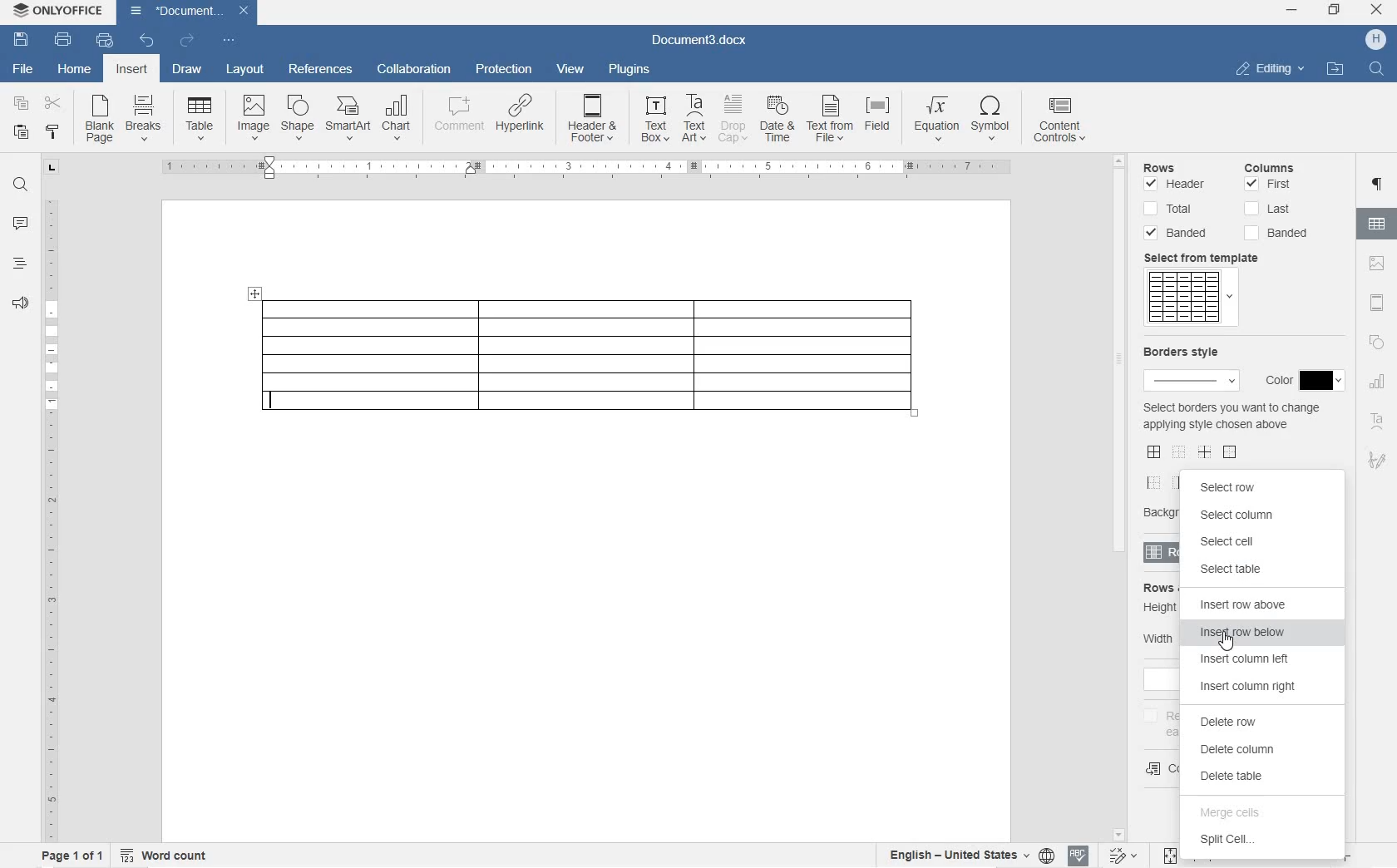 Image resolution: width=1397 pixels, height=868 pixels. Describe the element at coordinates (1160, 769) in the screenshot. I see `convert table to text` at that location.